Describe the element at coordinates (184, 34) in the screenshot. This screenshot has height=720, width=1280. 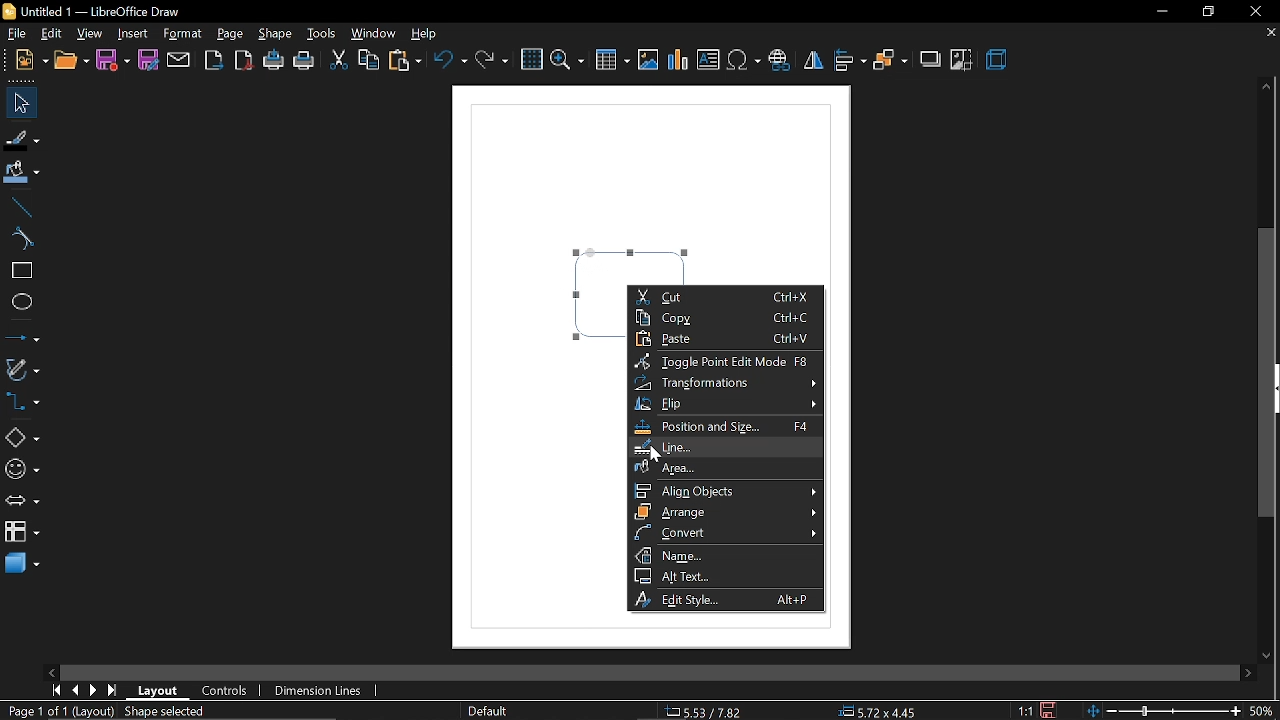
I see `format` at that location.